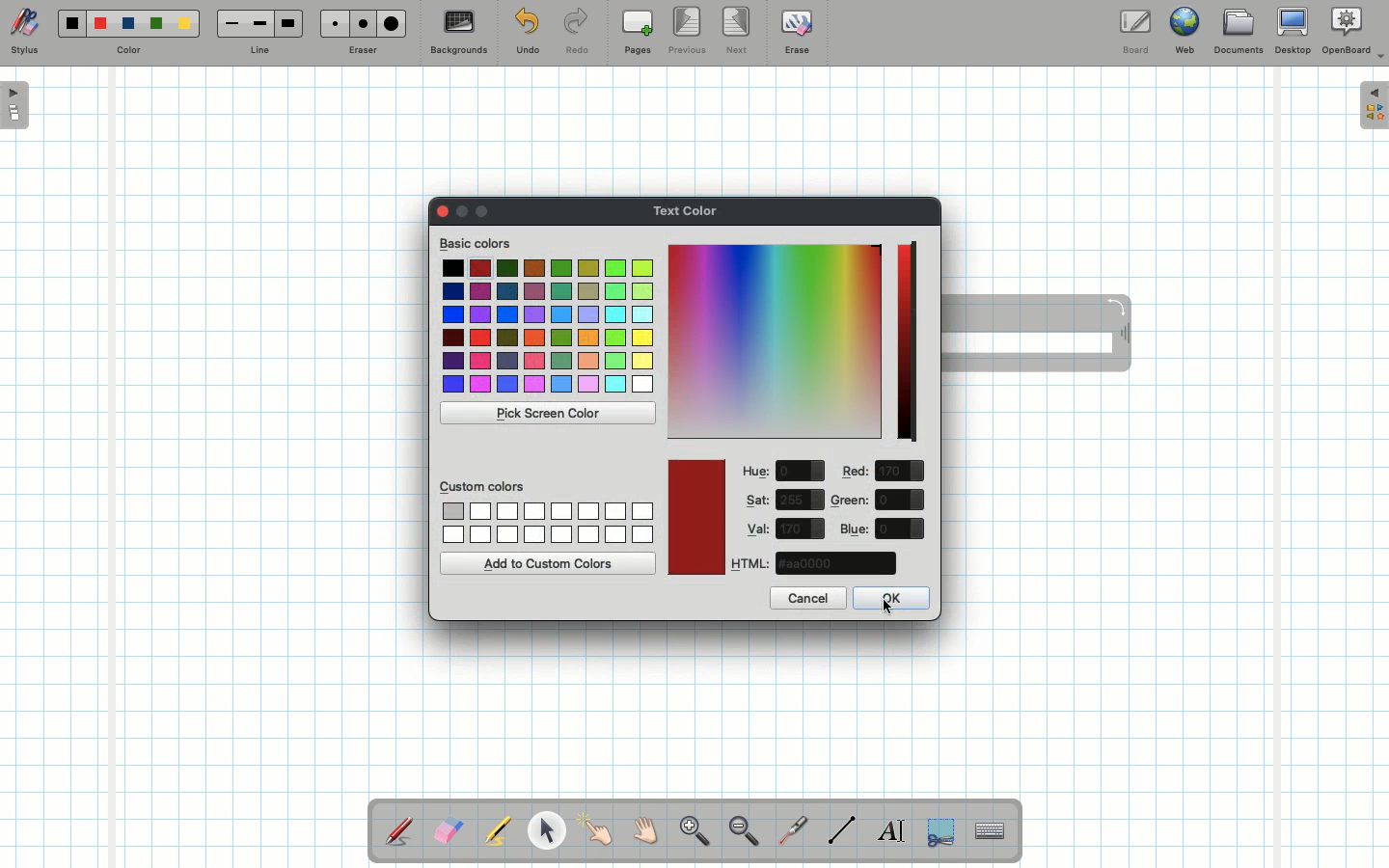 Image resolution: width=1389 pixels, height=868 pixels. What do you see at coordinates (738, 29) in the screenshot?
I see `Next` at bounding box center [738, 29].